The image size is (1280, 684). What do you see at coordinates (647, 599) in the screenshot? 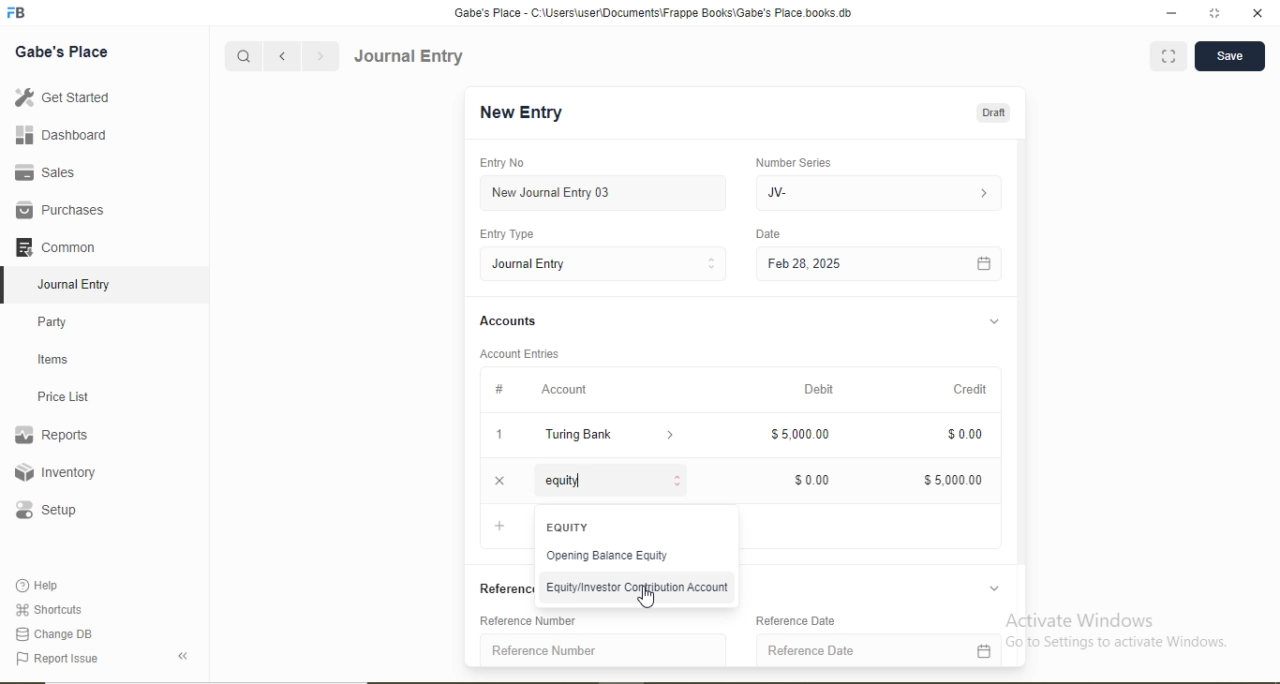
I see `Cursor` at bounding box center [647, 599].